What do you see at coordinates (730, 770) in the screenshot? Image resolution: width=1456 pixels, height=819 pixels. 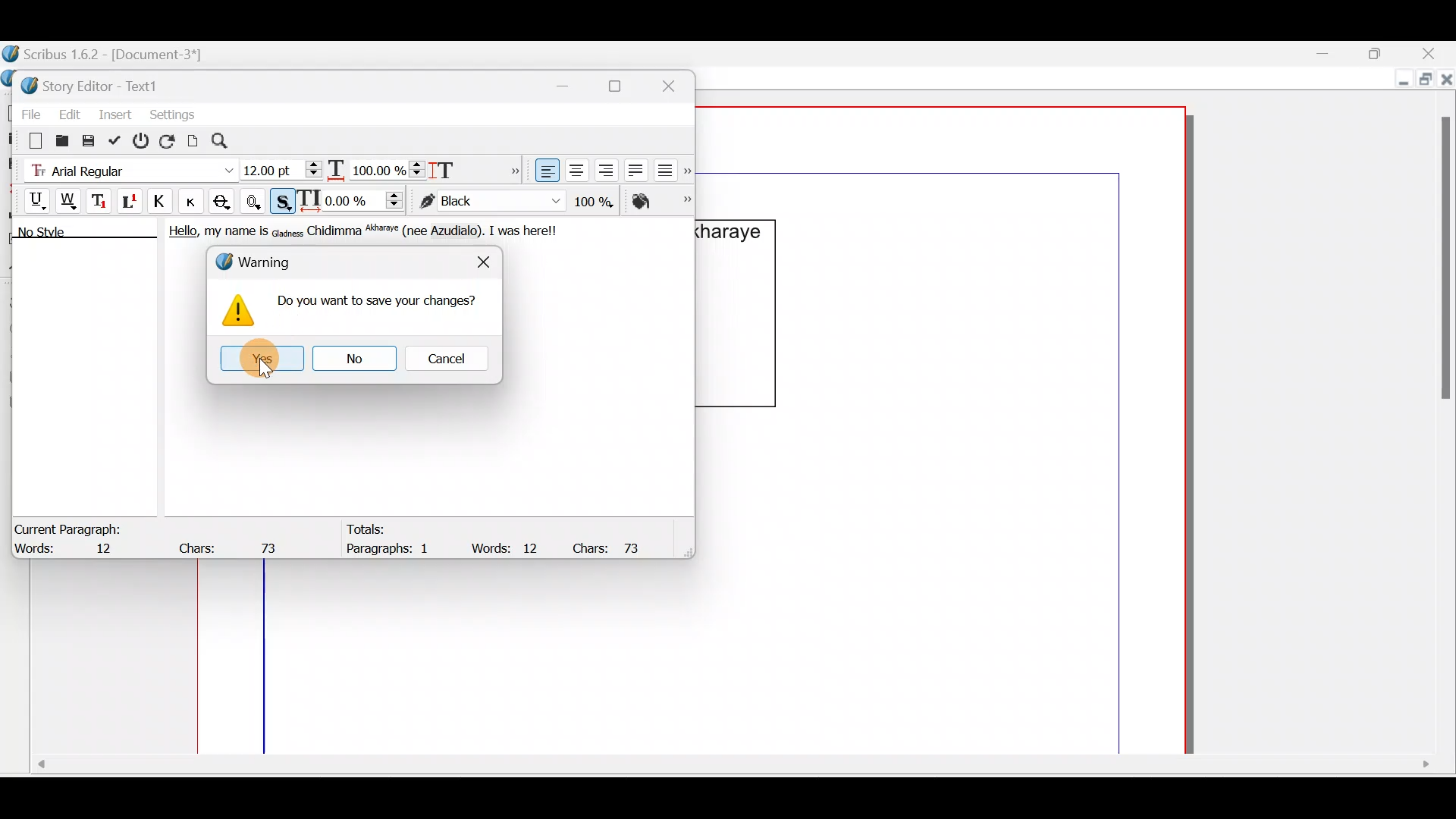 I see `Scroll bar` at bounding box center [730, 770].